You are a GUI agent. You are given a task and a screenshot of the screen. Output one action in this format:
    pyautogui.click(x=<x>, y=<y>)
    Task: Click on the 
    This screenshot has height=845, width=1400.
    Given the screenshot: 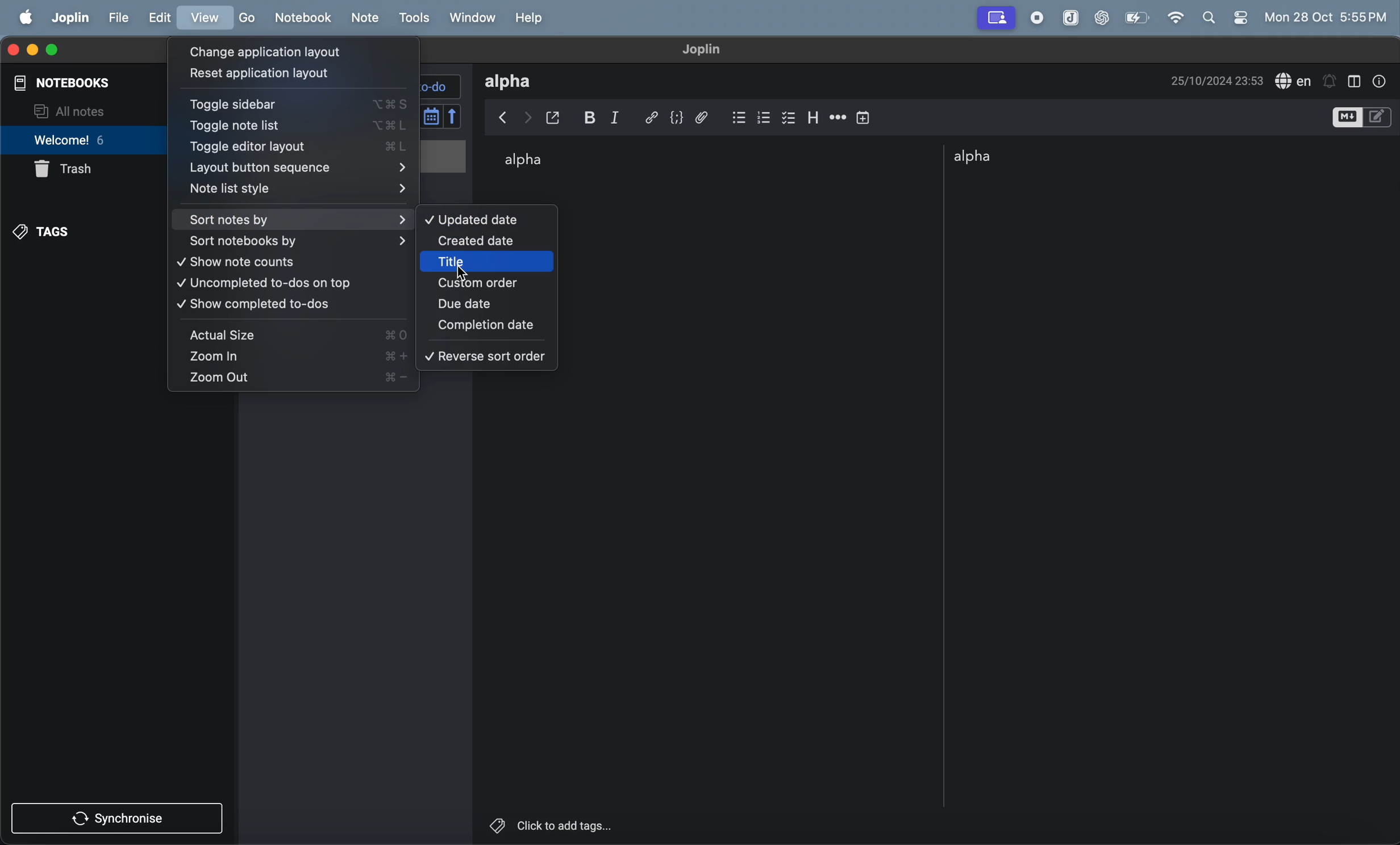 What is the action you would take?
    pyautogui.click(x=594, y=117)
    